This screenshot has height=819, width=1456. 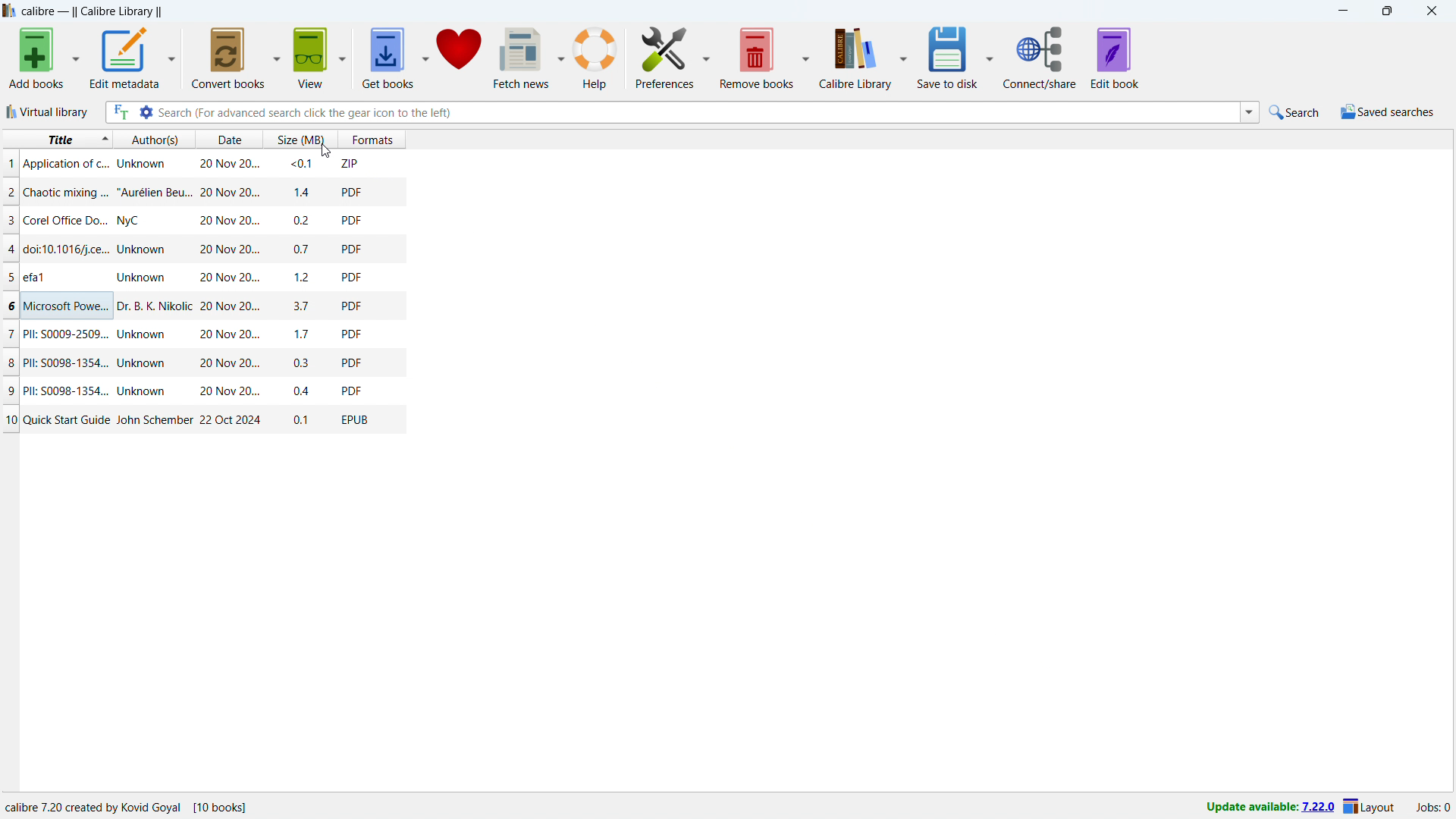 What do you see at coordinates (229, 392) in the screenshot?
I see `date` at bounding box center [229, 392].